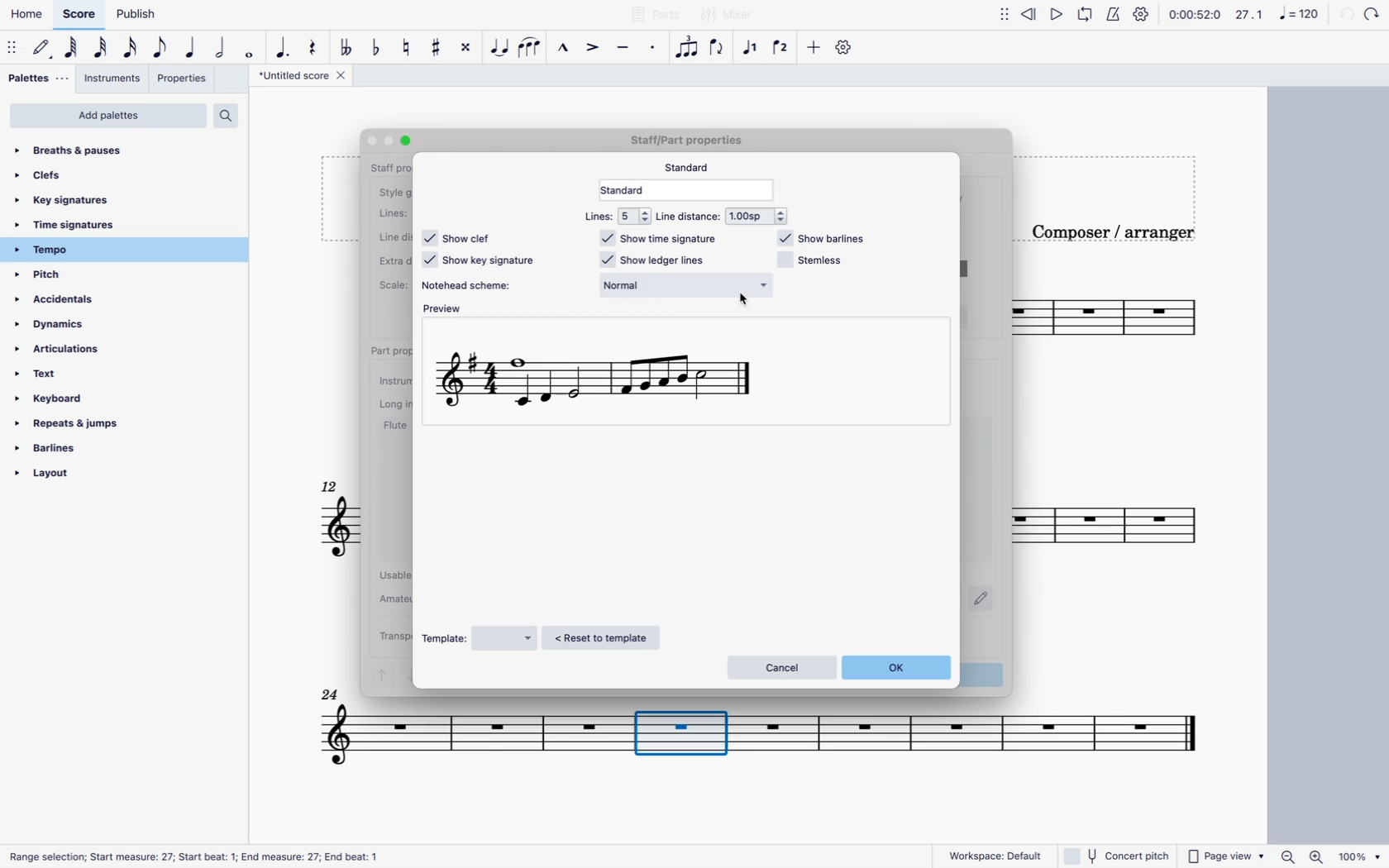 The image size is (1389, 868). Describe the element at coordinates (1119, 856) in the screenshot. I see `concert pitch` at that location.